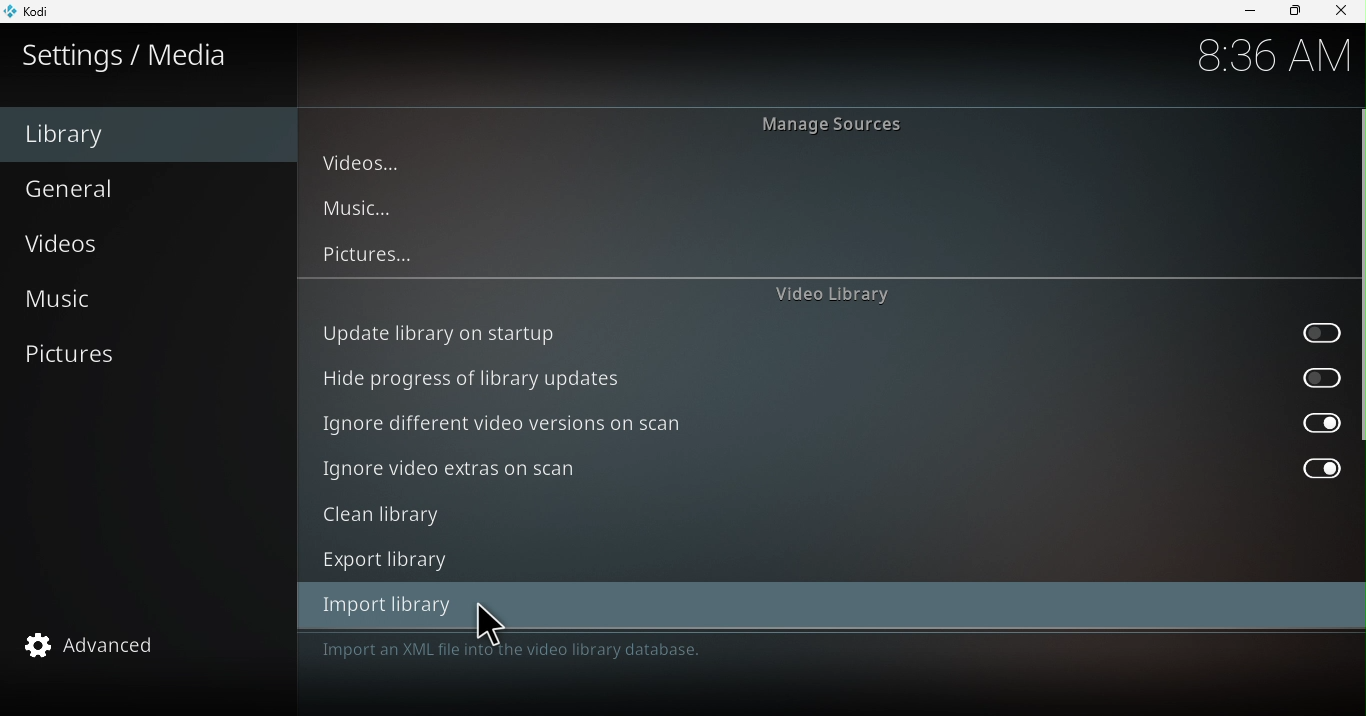 This screenshot has height=716, width=1366. Describe the element at coordinates (149, 644) in the screenshot. I see `Advanced` at that location.